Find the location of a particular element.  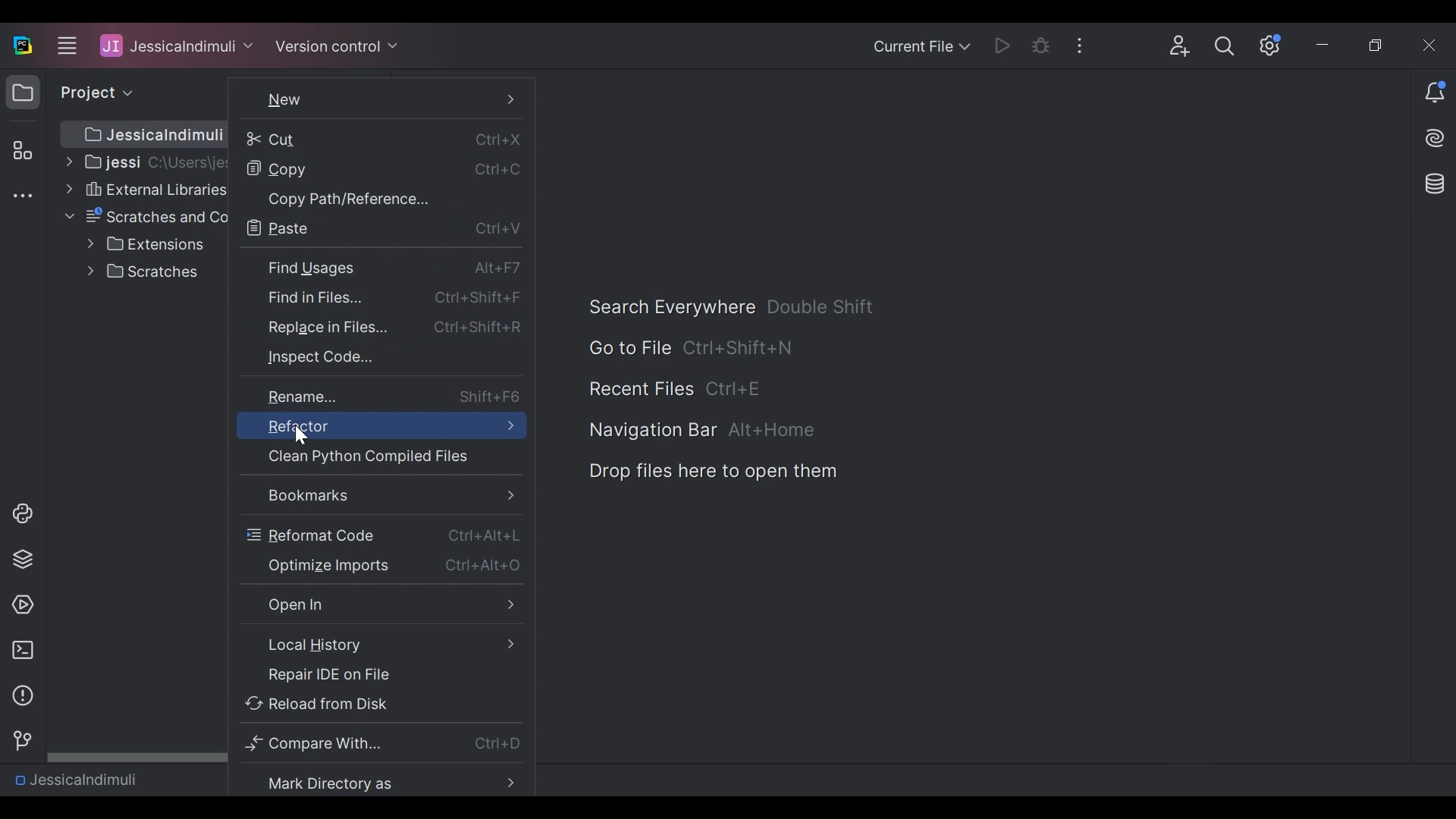

Restore is located at coordinates (1379, 46).